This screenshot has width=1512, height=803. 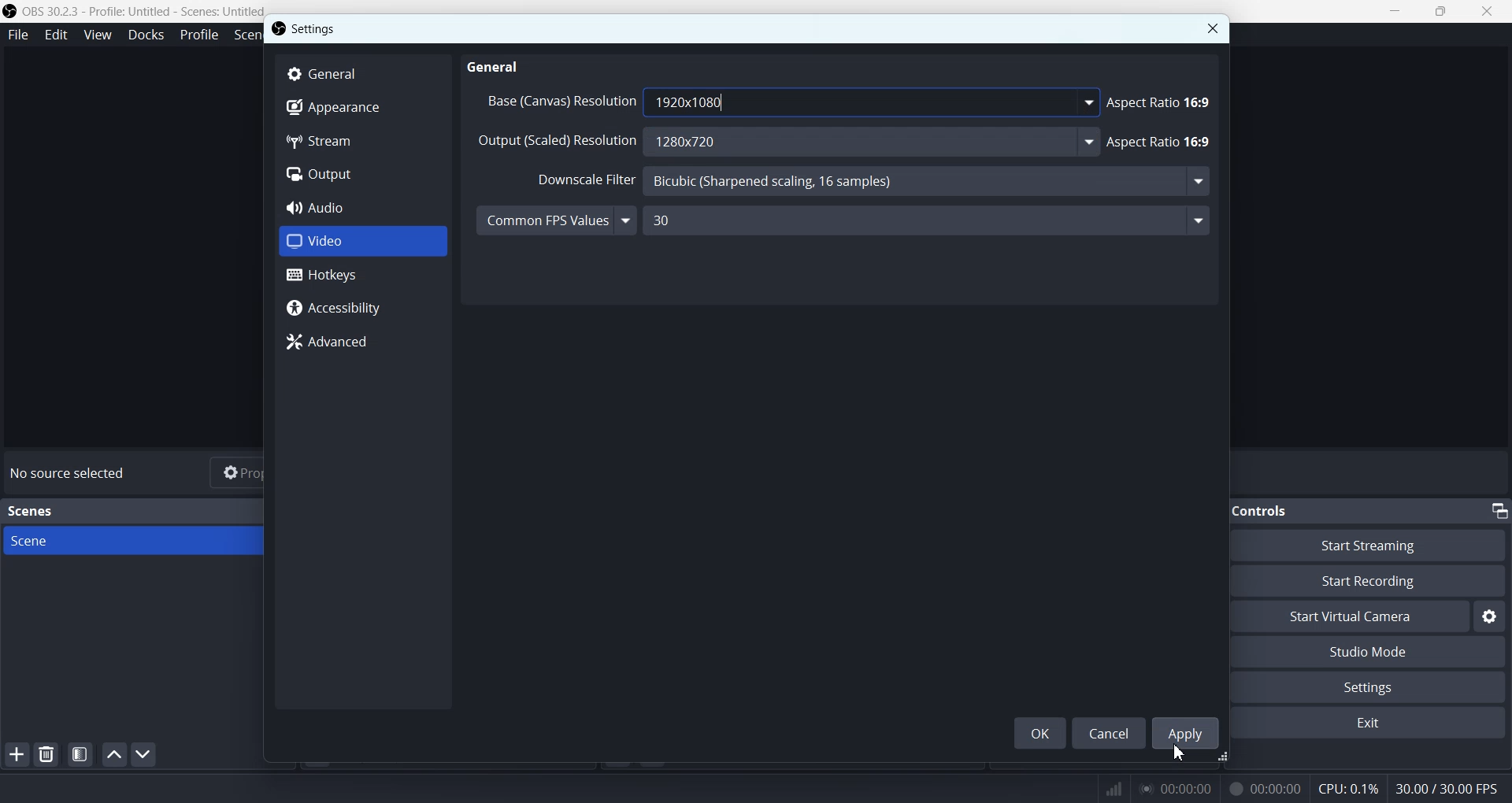 I want to click on General, so click(x=363, y=73).